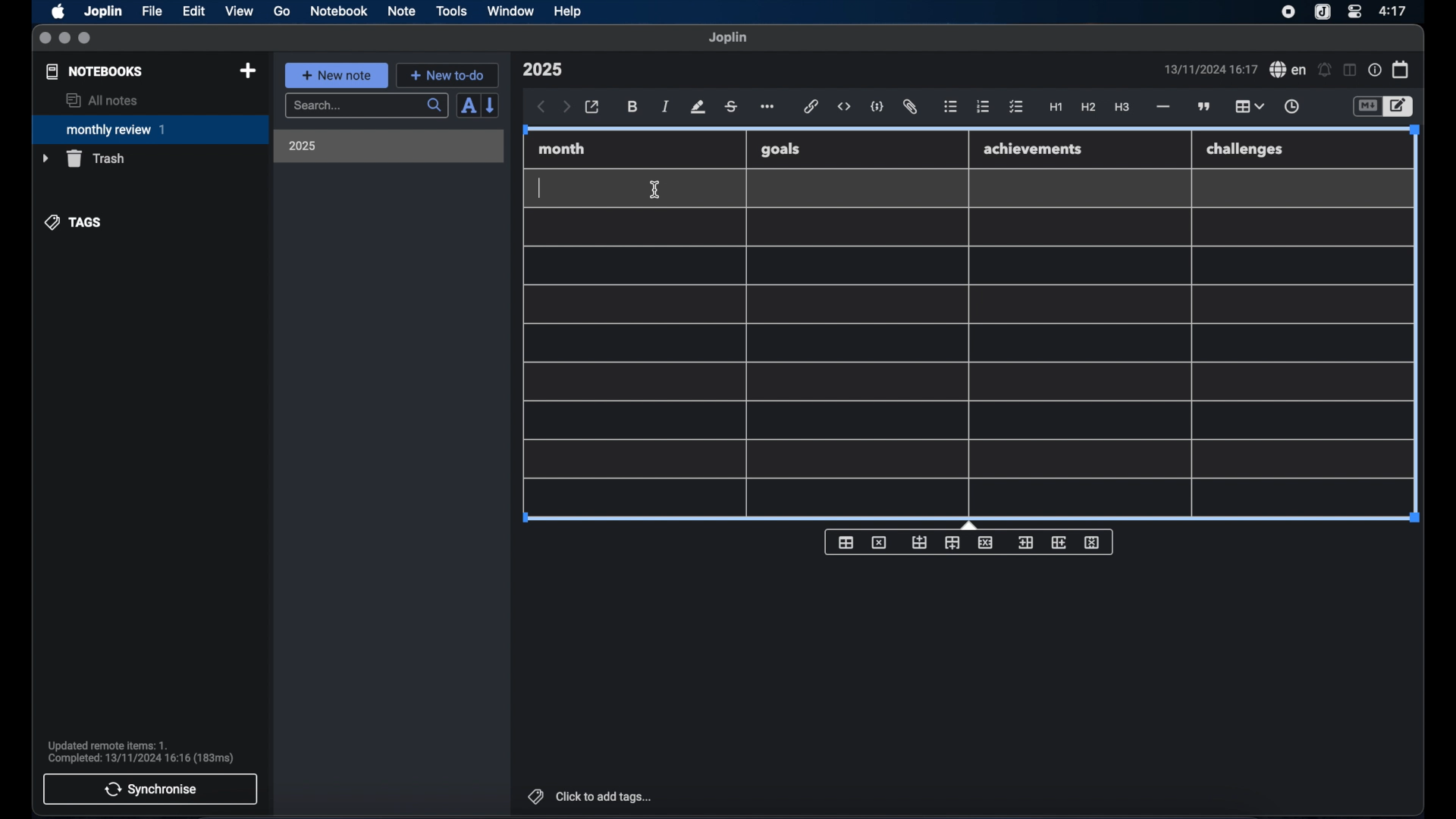  Describe the element at coordinates (448, 75) in the screenshot. I see `new to-do` at that location.